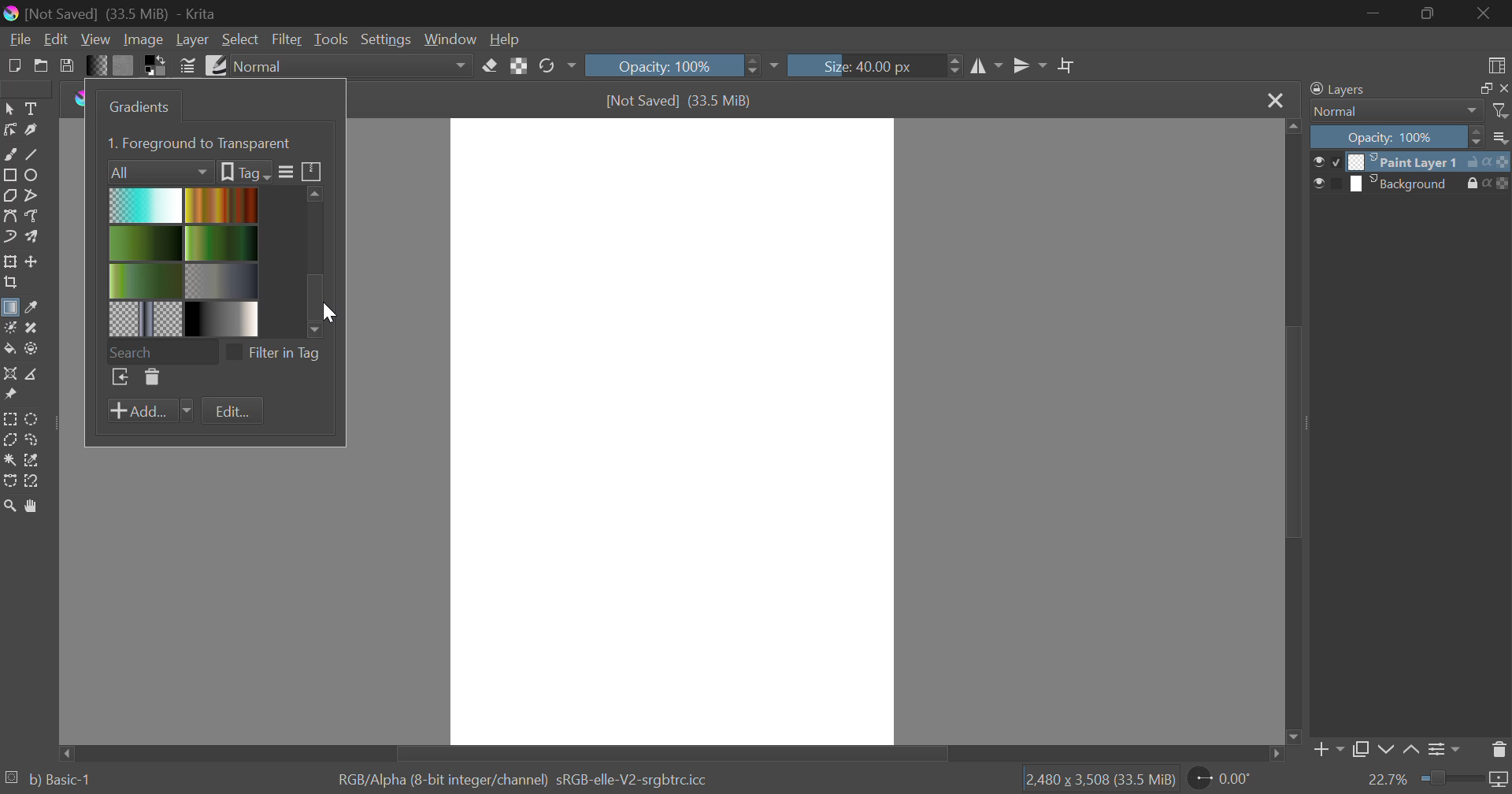  Describe the element at coordinates (1476, 184) in the screenshot. I see `lock` at that location.